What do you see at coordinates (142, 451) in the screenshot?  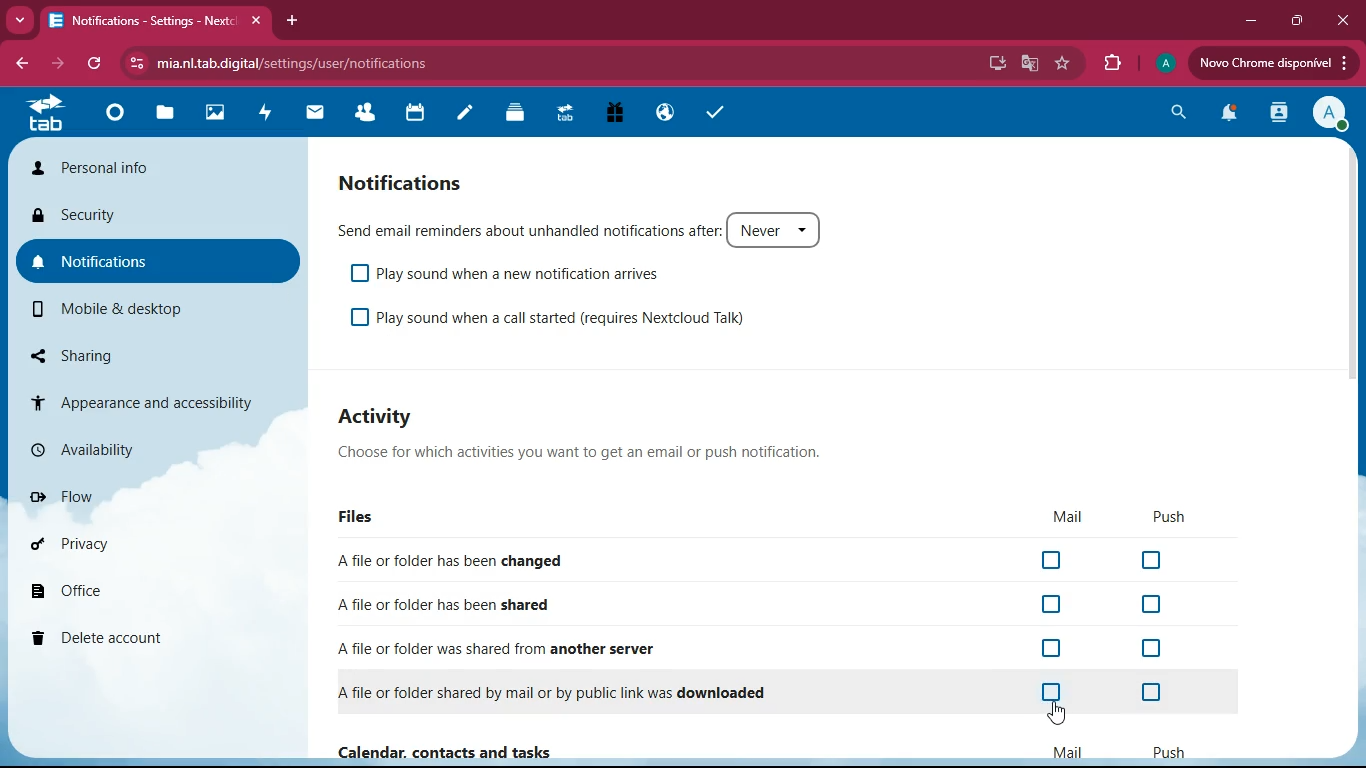 I see `availiability` at bounding box center [142, 451].